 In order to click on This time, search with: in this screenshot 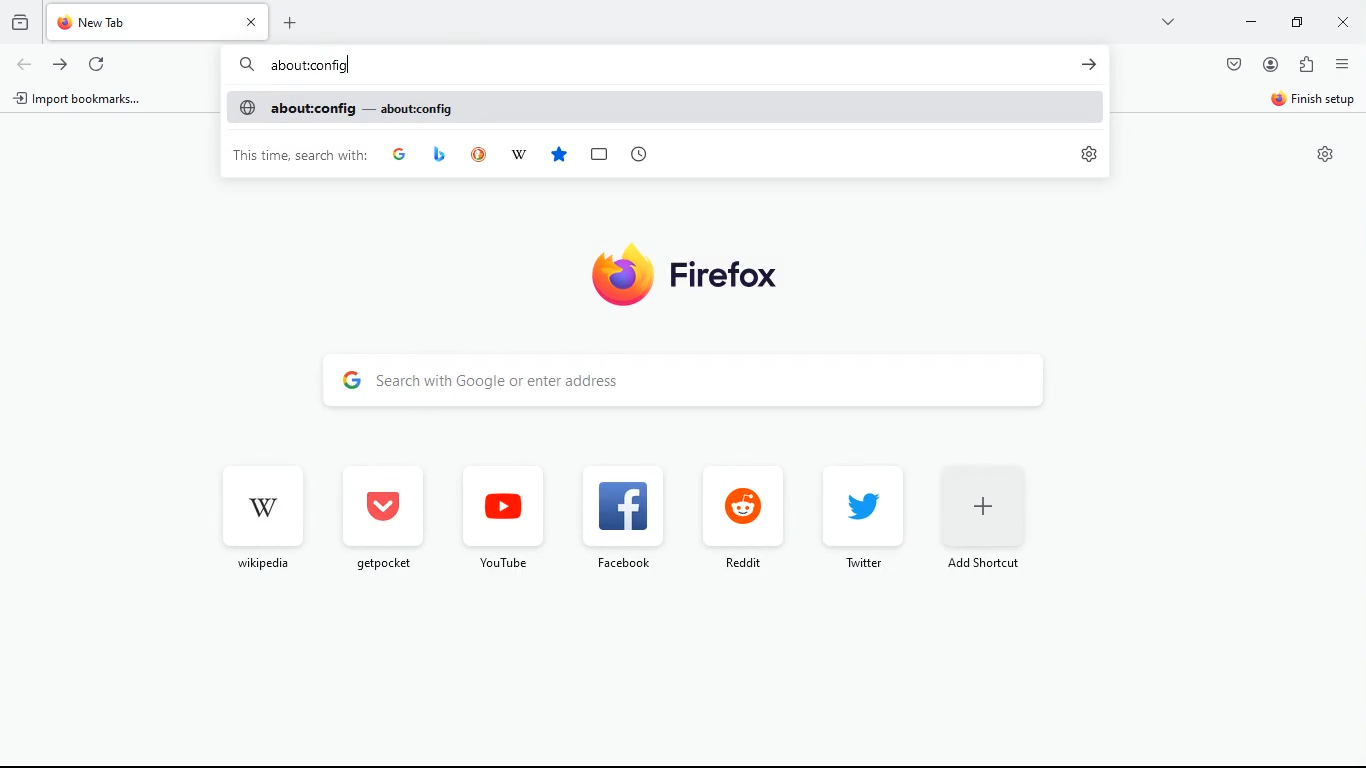, I will do `click(301, 154)`.